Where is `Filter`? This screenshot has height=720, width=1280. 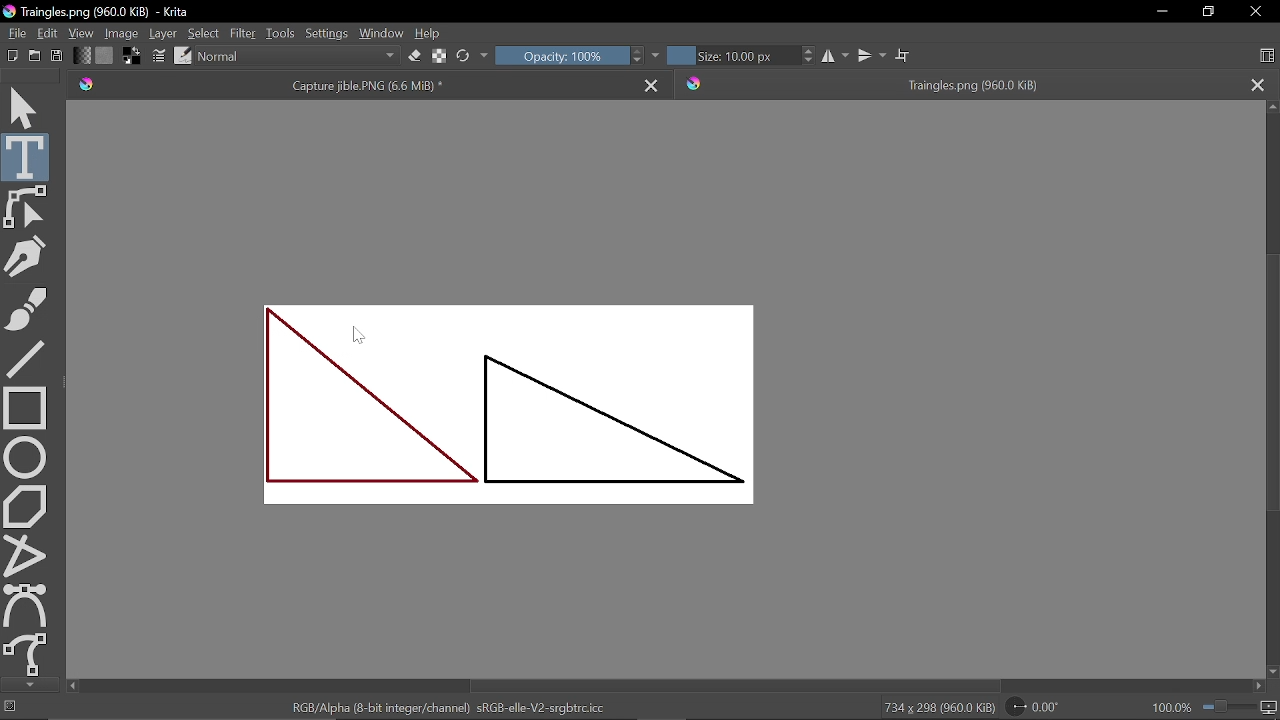 Filter is located at coordinates (243, 34).